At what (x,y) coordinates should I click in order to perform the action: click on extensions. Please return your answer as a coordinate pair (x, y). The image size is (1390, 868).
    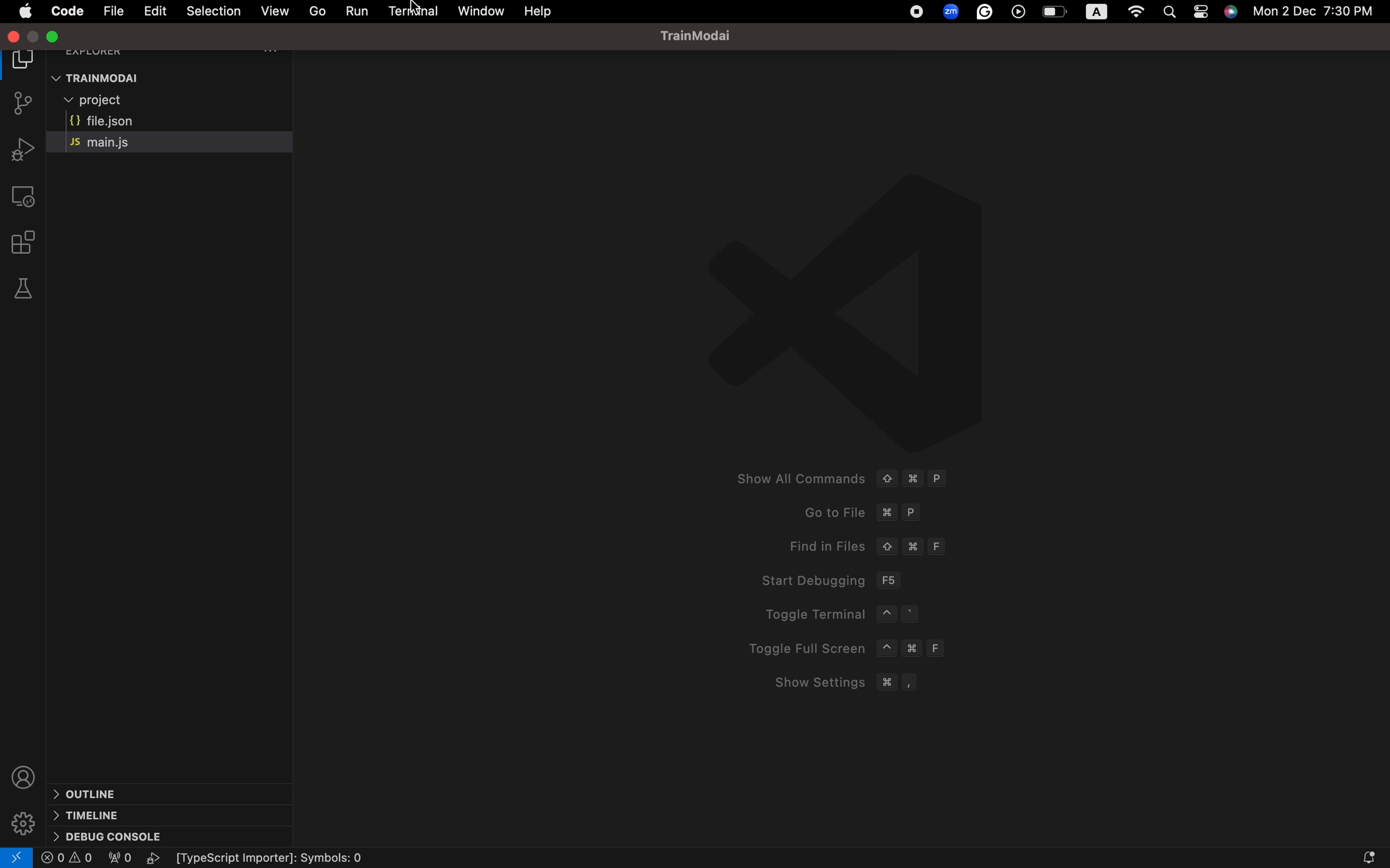
    Looking at the image, I should click on (28, 242).